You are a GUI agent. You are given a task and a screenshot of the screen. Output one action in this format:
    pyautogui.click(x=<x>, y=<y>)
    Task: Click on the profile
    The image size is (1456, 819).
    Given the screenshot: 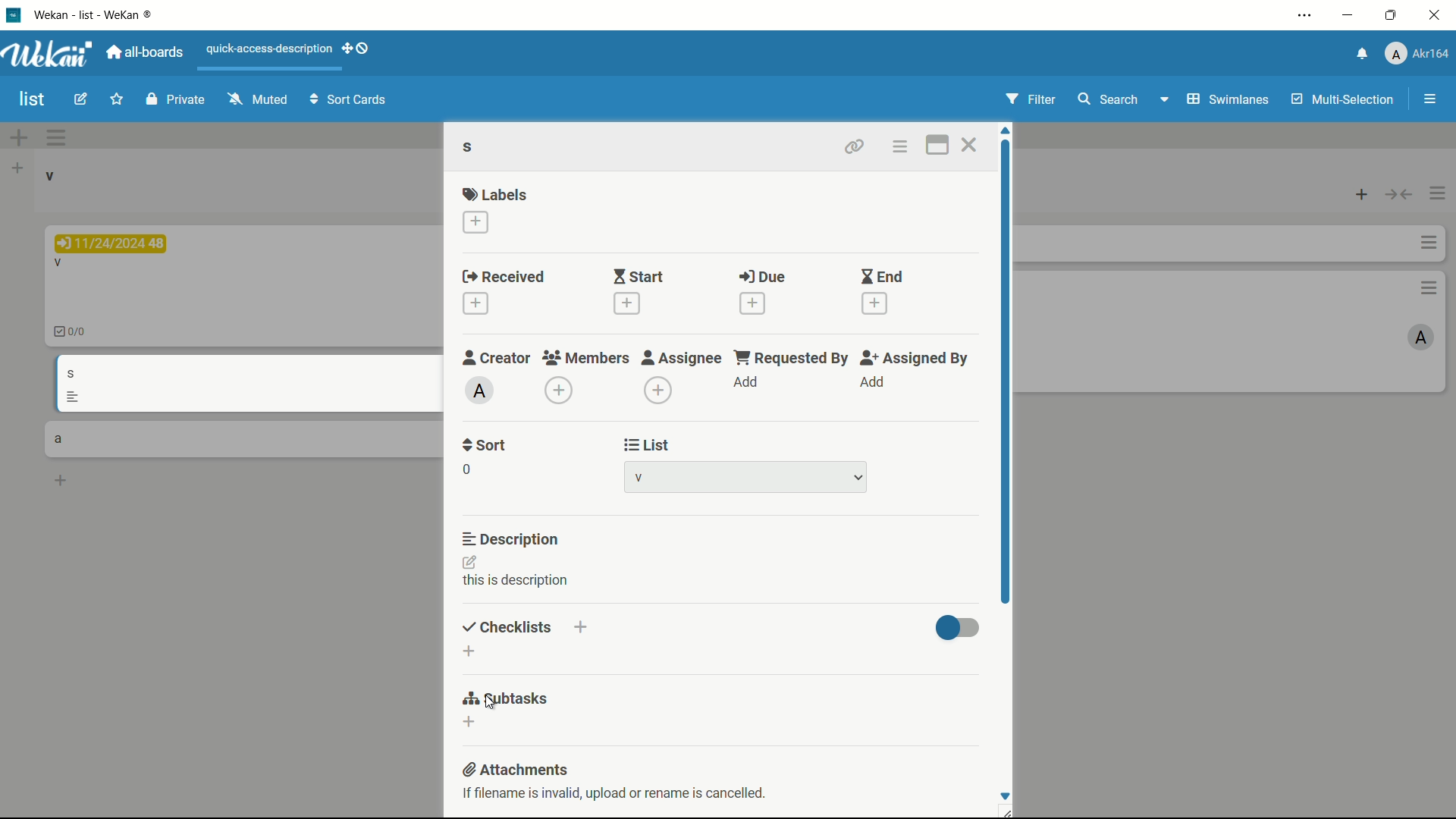 What is the action you would take?
    pyautogui.click(x=1419, y=52)
    